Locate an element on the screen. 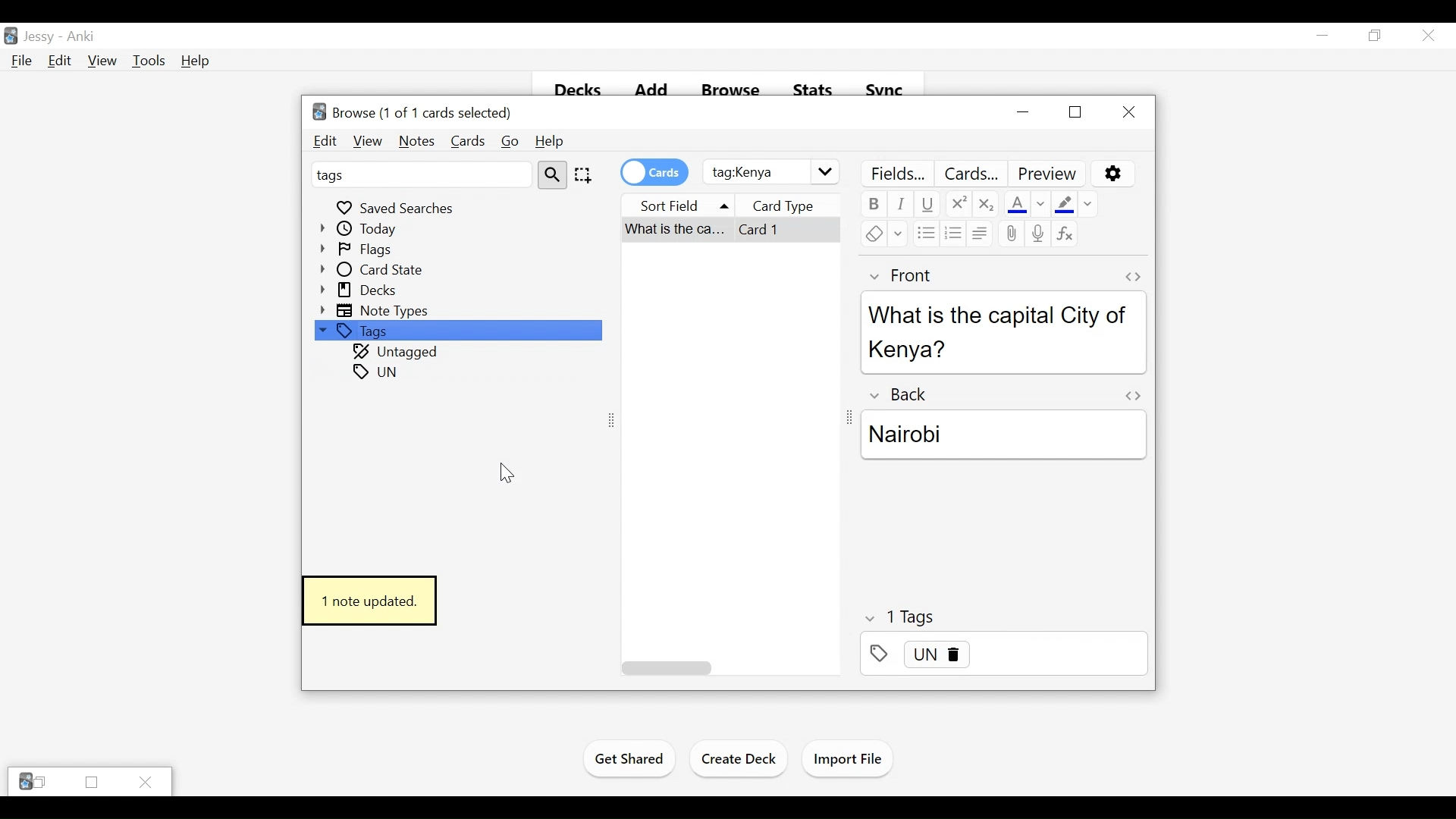 Image resolution: width=1456 pixels, height=819 pixels.  is located at coordinates (985, 204).